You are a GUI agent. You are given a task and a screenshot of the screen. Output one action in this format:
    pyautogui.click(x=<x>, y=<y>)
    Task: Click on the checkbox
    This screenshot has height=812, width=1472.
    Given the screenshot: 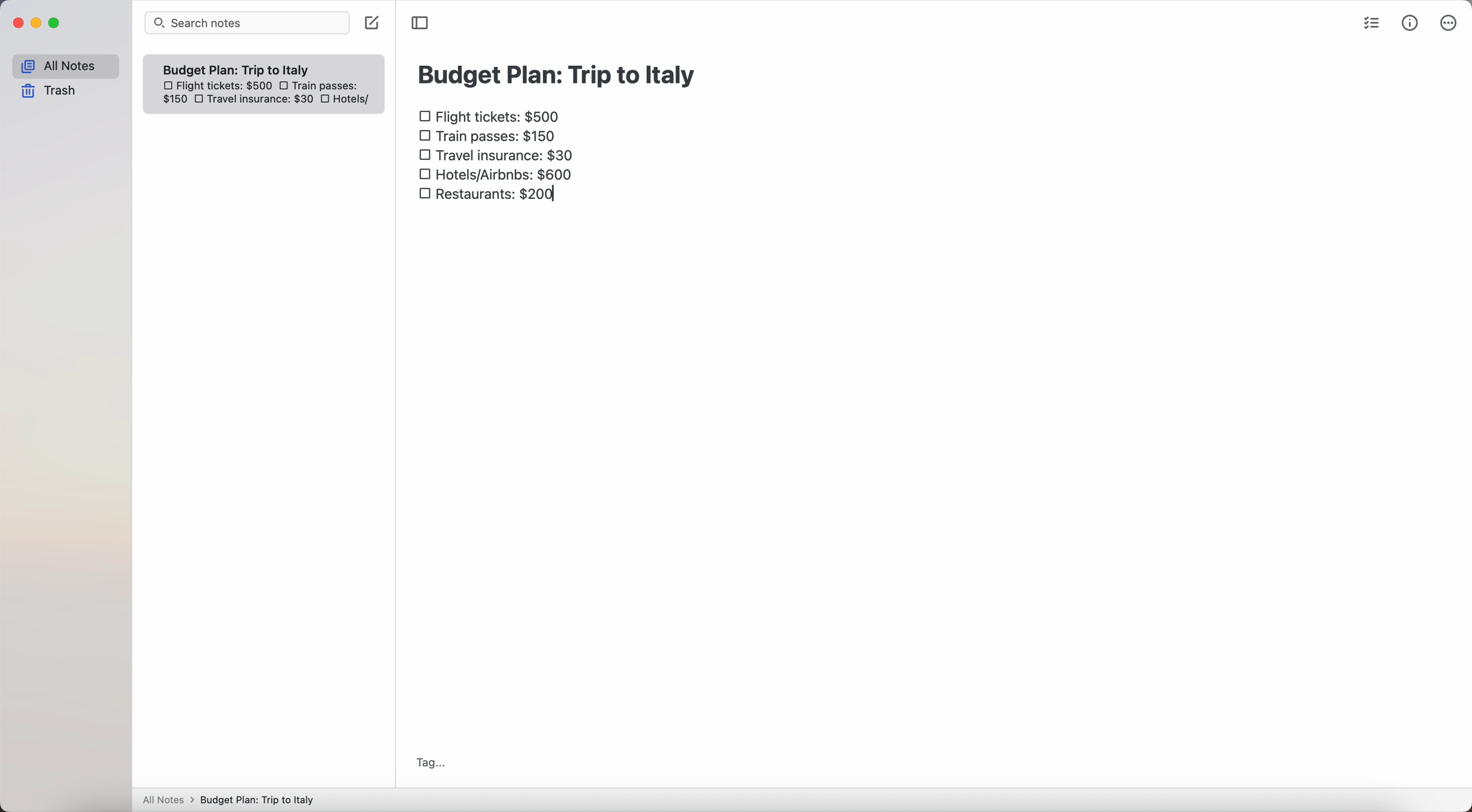 What is the action you would take?
    pyautogui.click(x=286, y=86)
    